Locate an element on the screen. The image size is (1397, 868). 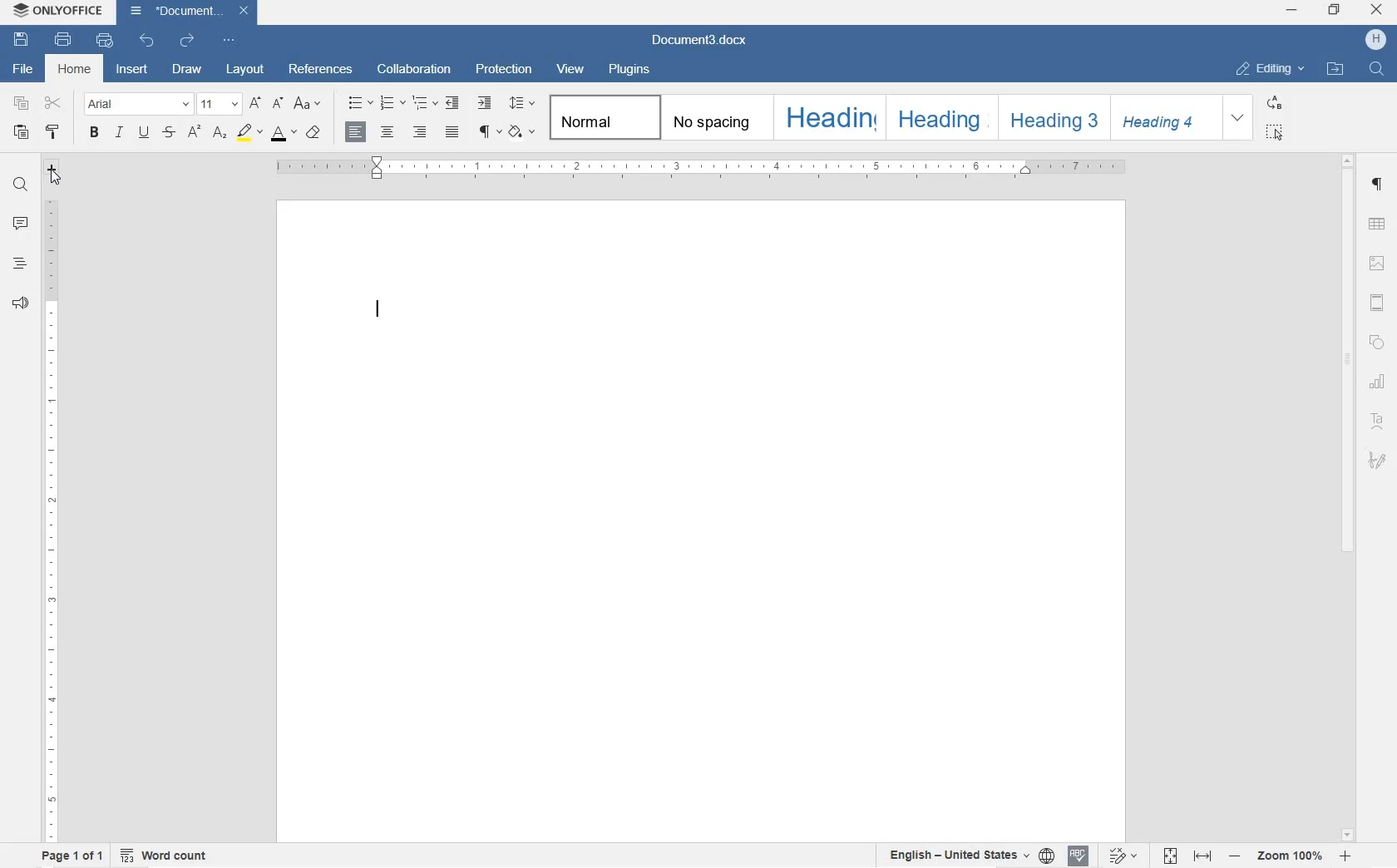
JUSTIFIED is located at coordinates (453, 132).